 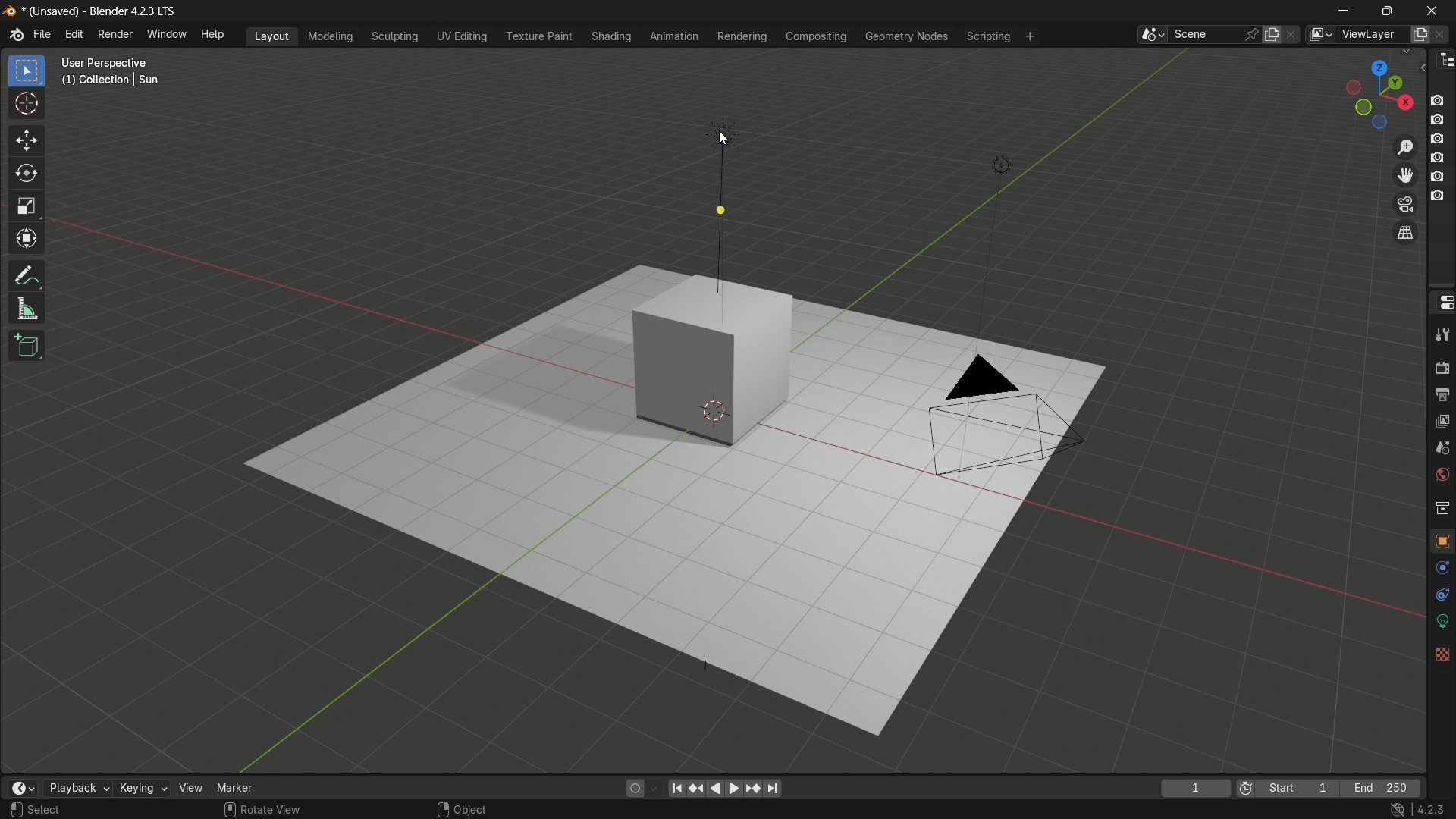 What do you see at coordinates (29, 310) in the screenshot?
I see `measure` at bounding box center [29, 310].